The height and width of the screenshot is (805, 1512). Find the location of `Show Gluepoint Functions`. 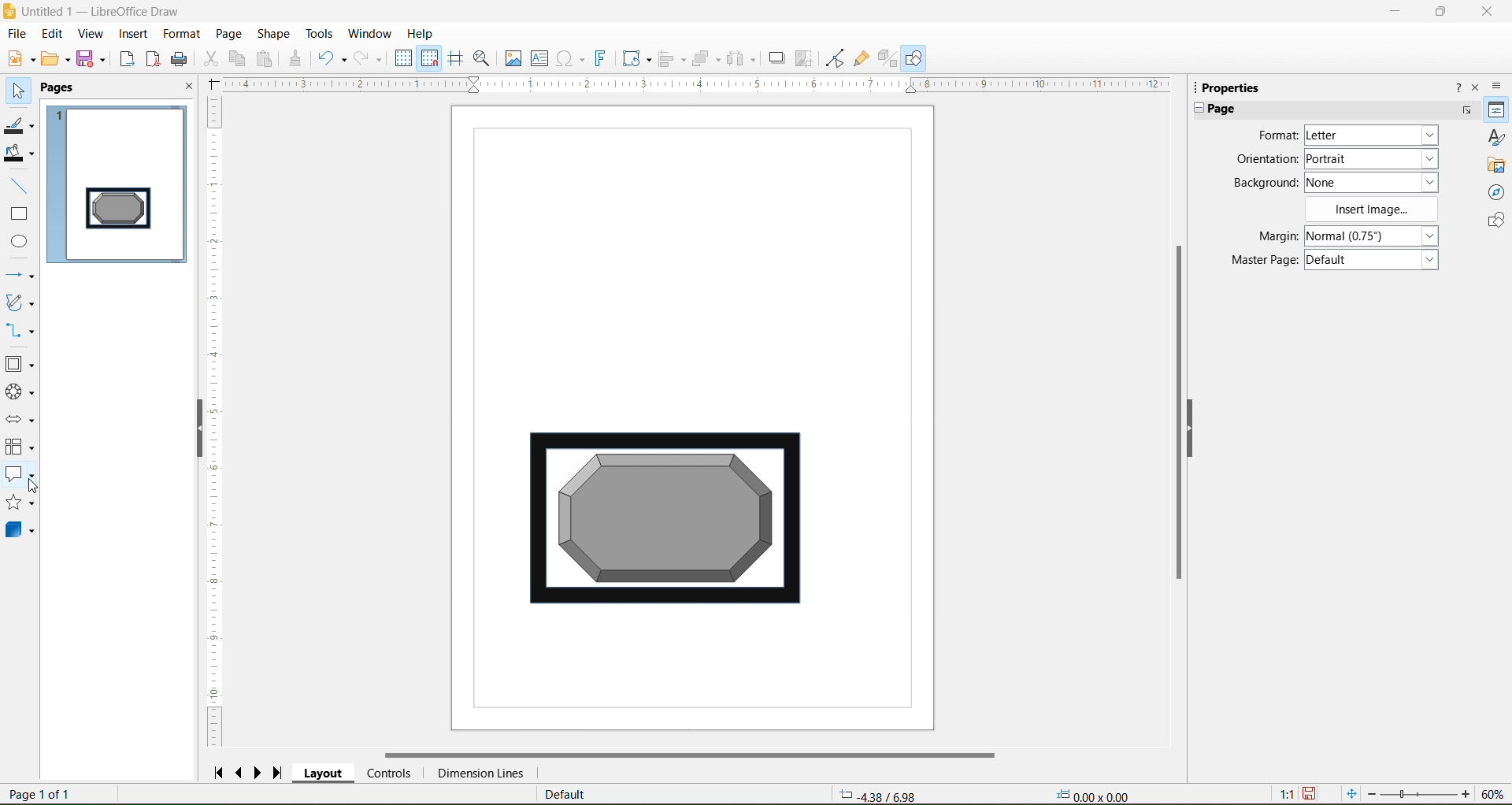

Show Gluepoint Functions is located at coordinates (861, 58).